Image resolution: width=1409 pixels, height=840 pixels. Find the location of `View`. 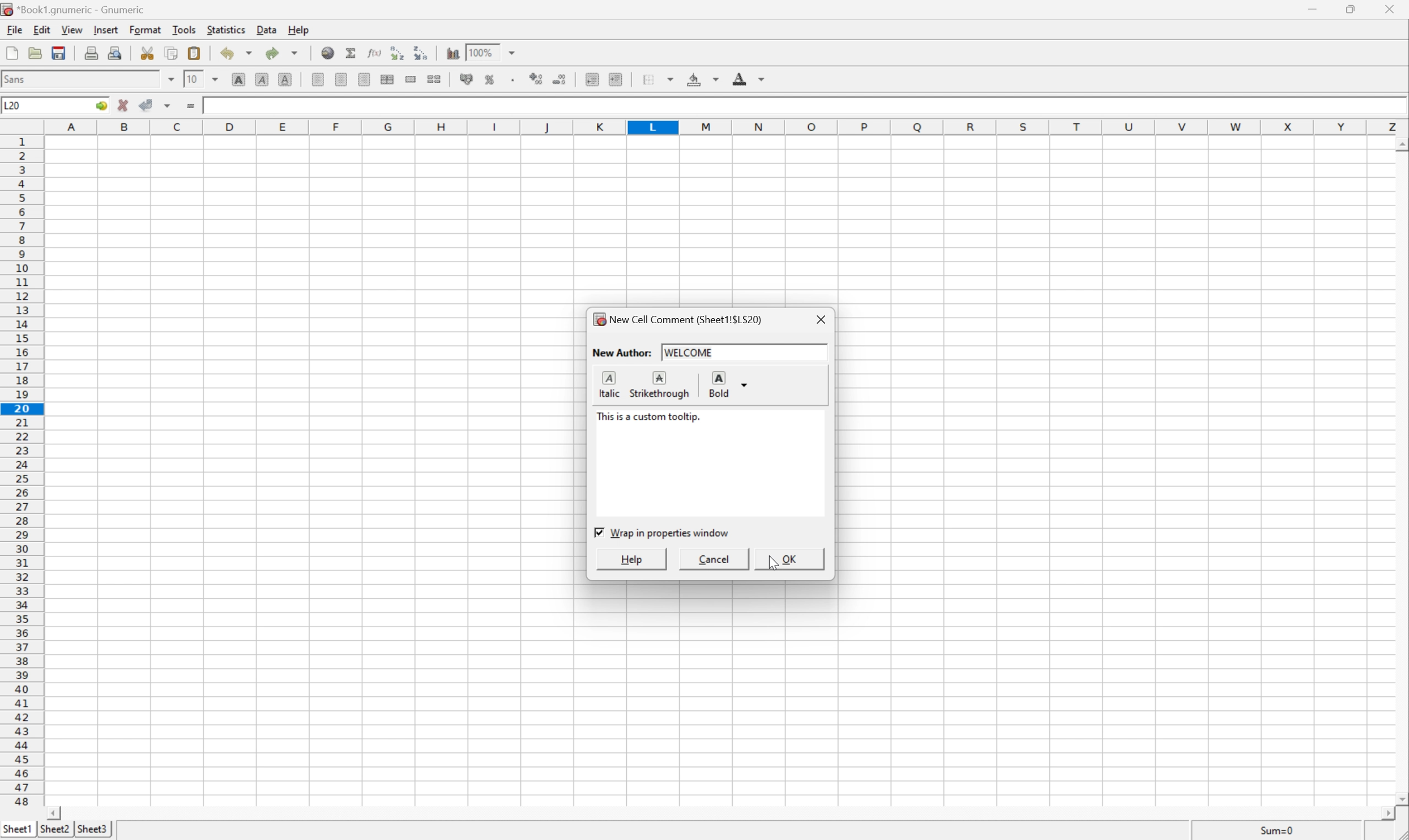

View is located at coordinates (73, 29).